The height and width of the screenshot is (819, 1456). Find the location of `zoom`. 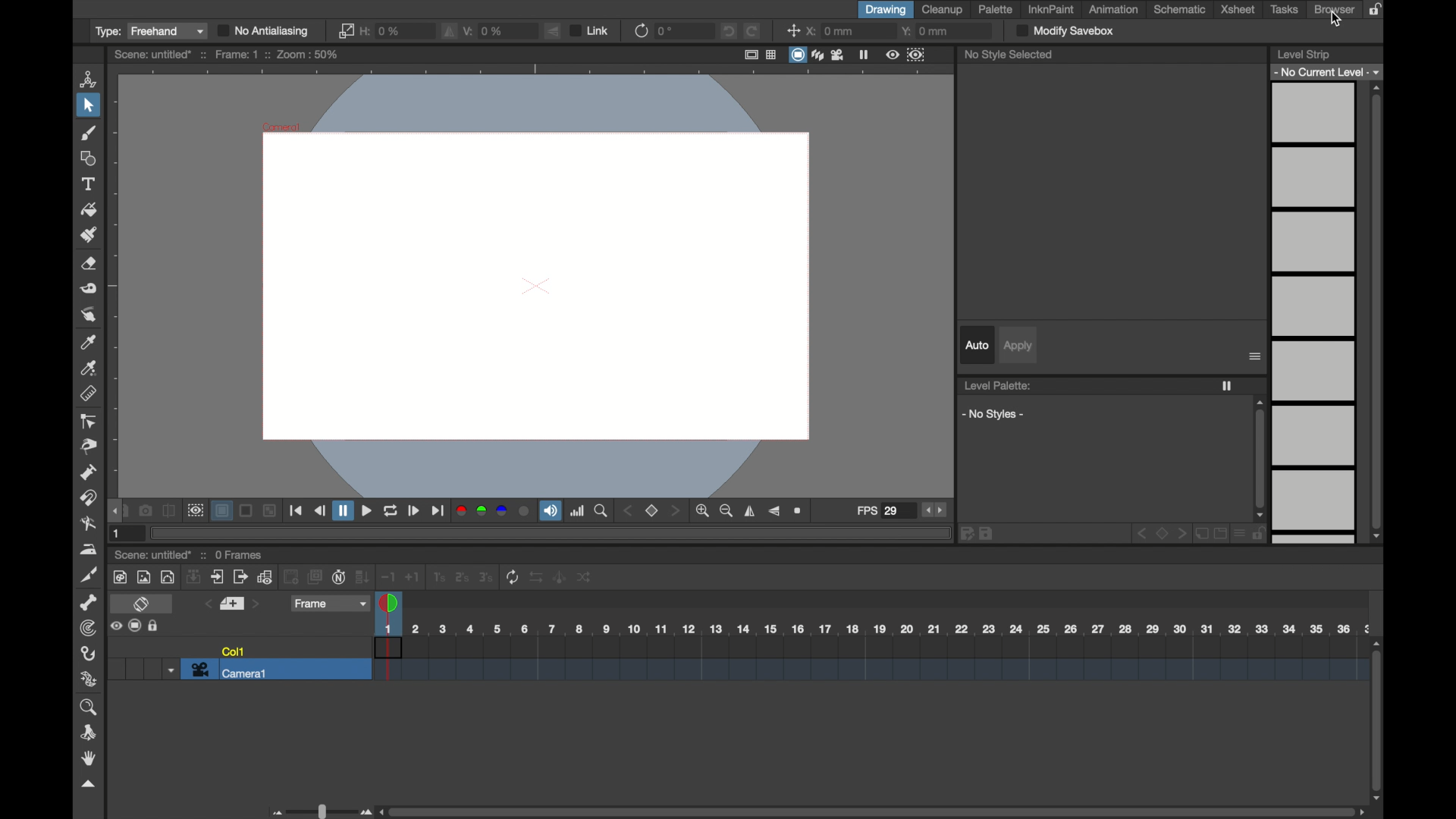

zoom is located at coordinates (90, 708).